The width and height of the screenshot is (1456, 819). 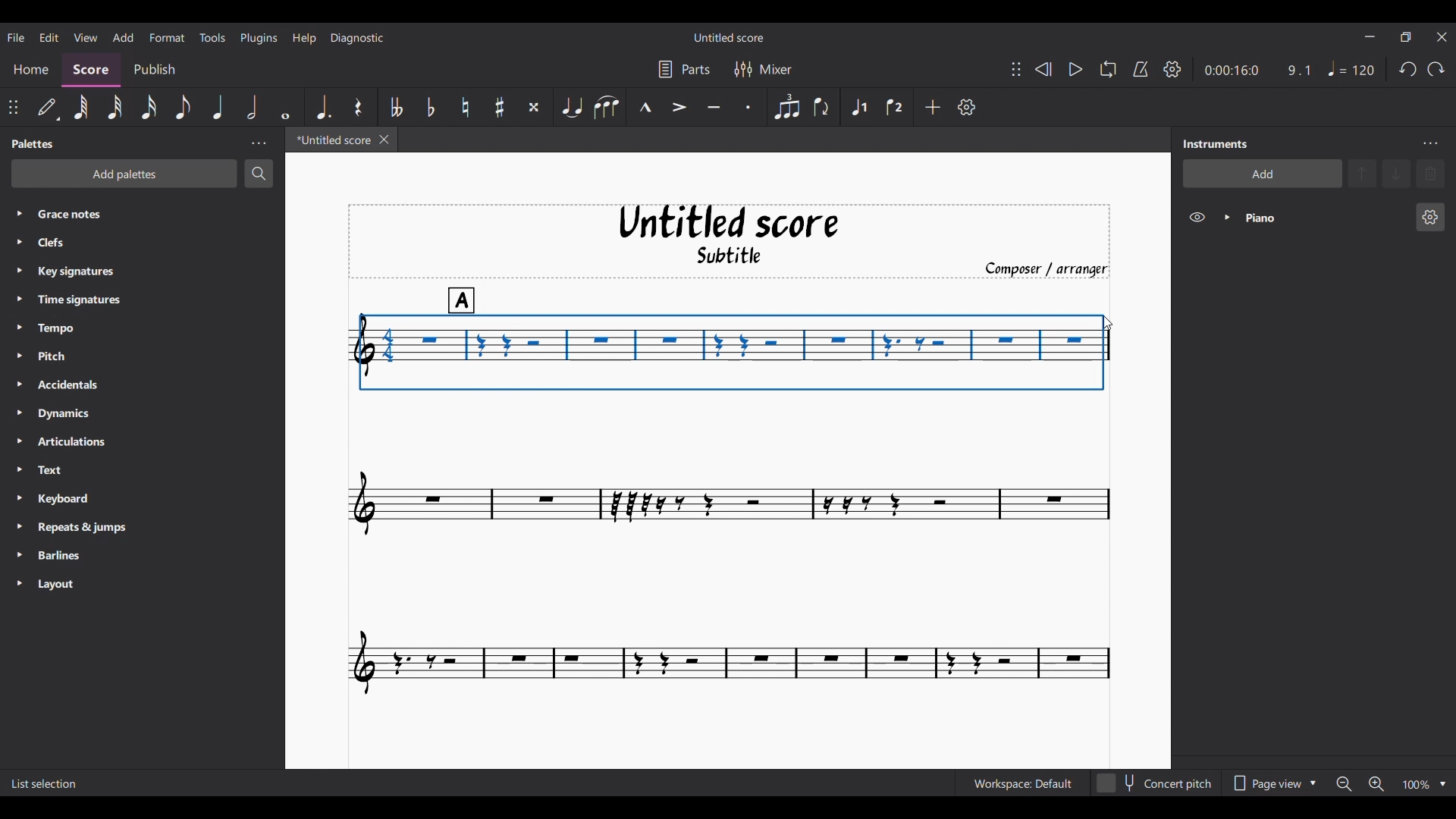 I want to click on Repeats & jumps, so click(x=89, y=527).